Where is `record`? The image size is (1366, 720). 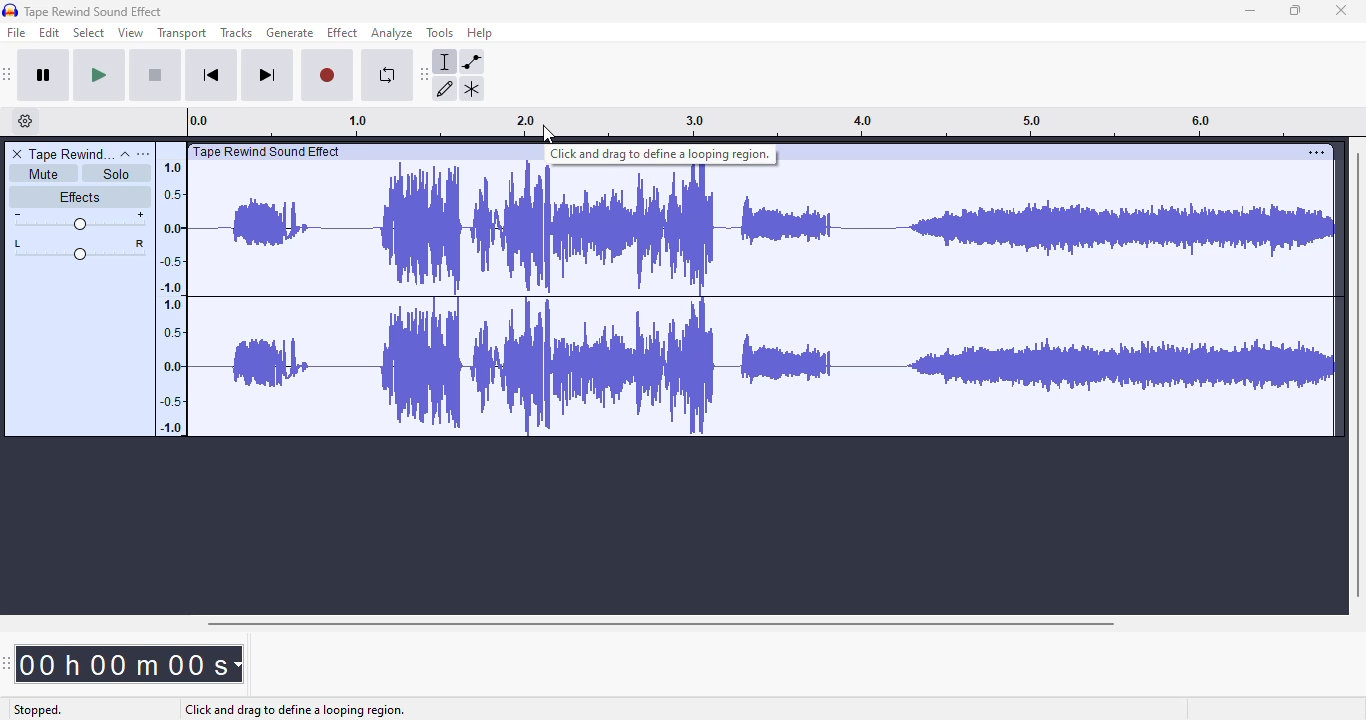 record is located at coordinates (328, 73).